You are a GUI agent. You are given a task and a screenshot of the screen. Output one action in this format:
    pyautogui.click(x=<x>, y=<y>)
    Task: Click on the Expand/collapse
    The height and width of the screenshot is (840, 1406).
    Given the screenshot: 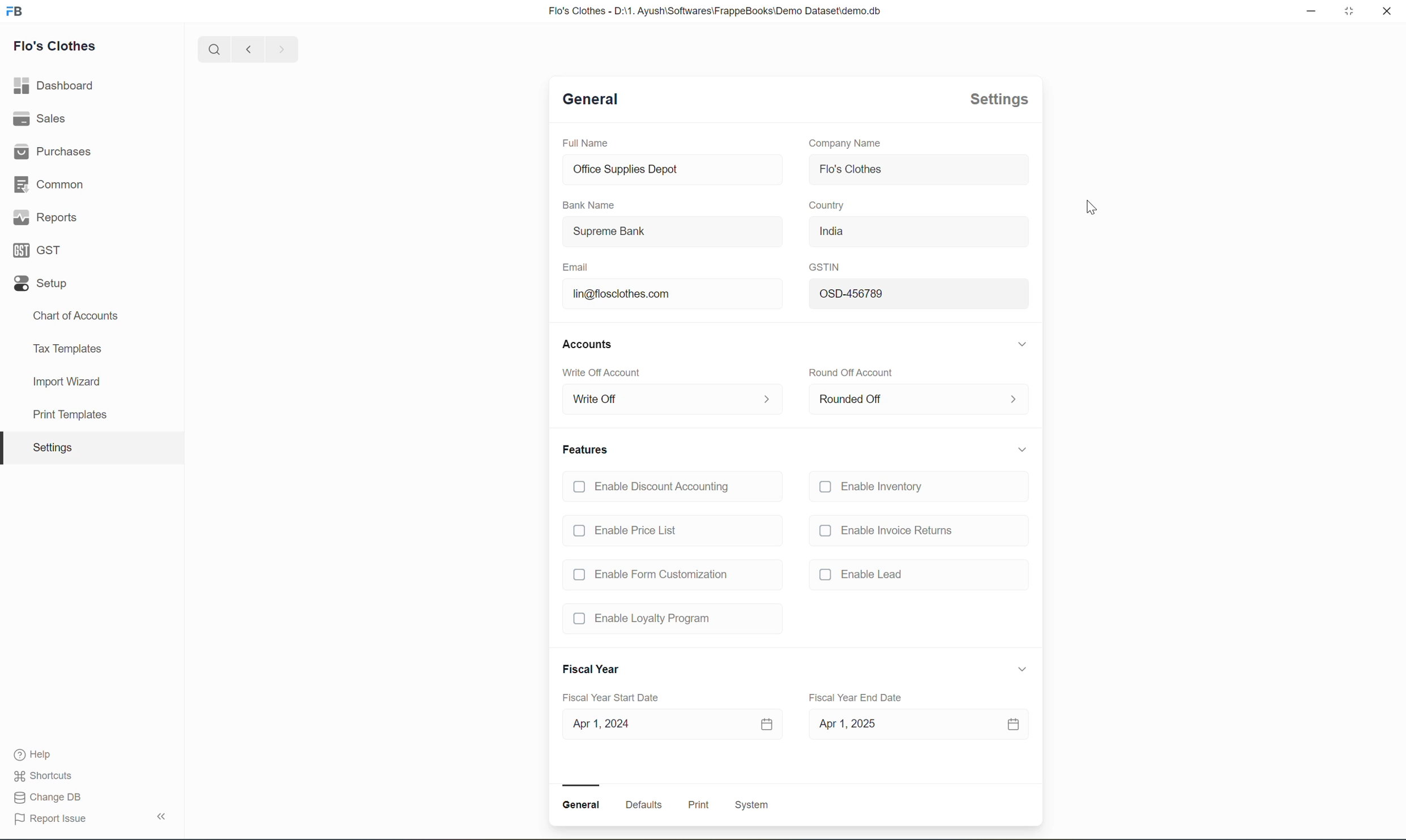 What is the action you would take?
    pyautogui.click(x=1023, y=670)
    